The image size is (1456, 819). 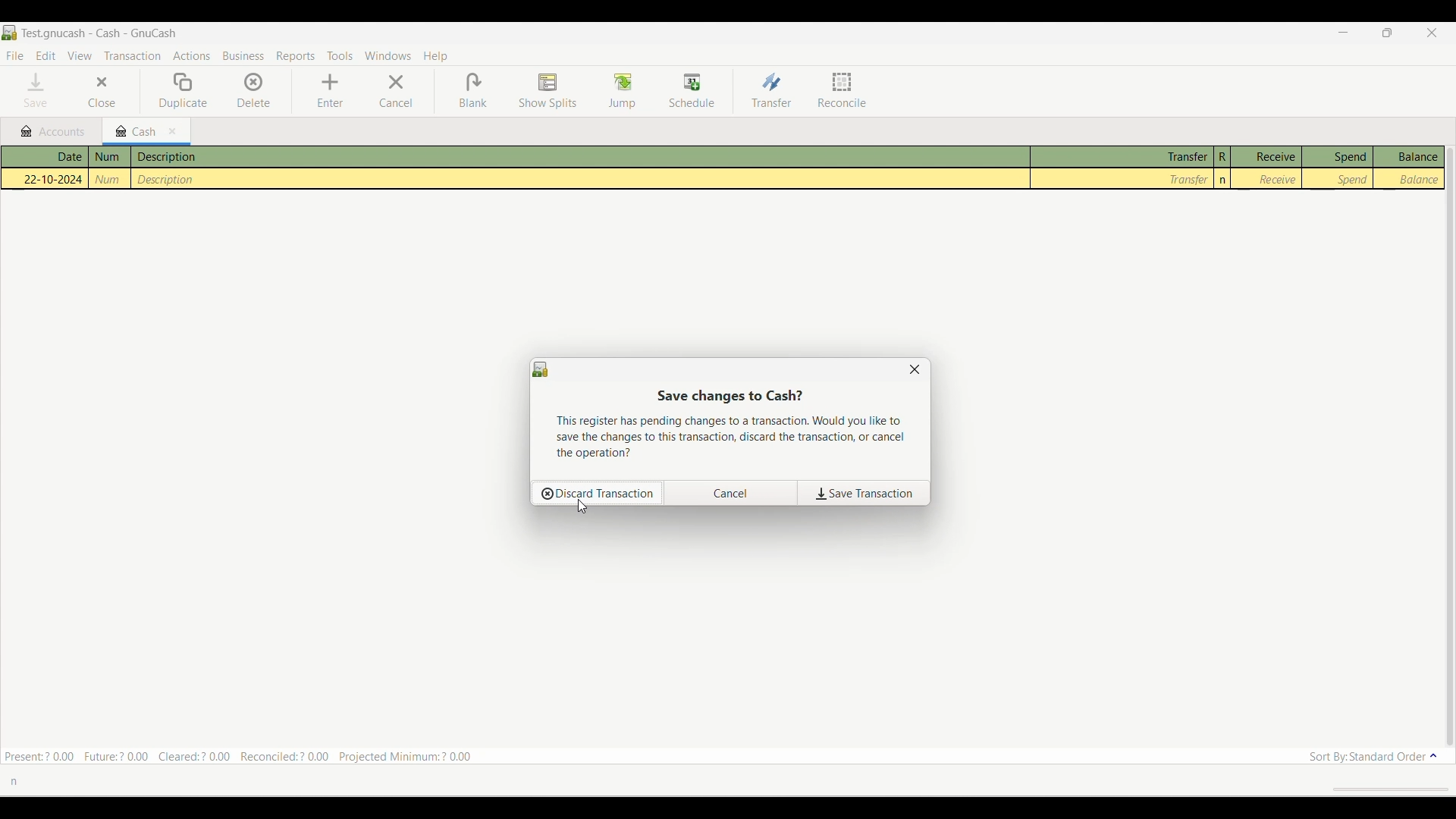 I want to click on Selected open tab, so click(x=146, y=132).